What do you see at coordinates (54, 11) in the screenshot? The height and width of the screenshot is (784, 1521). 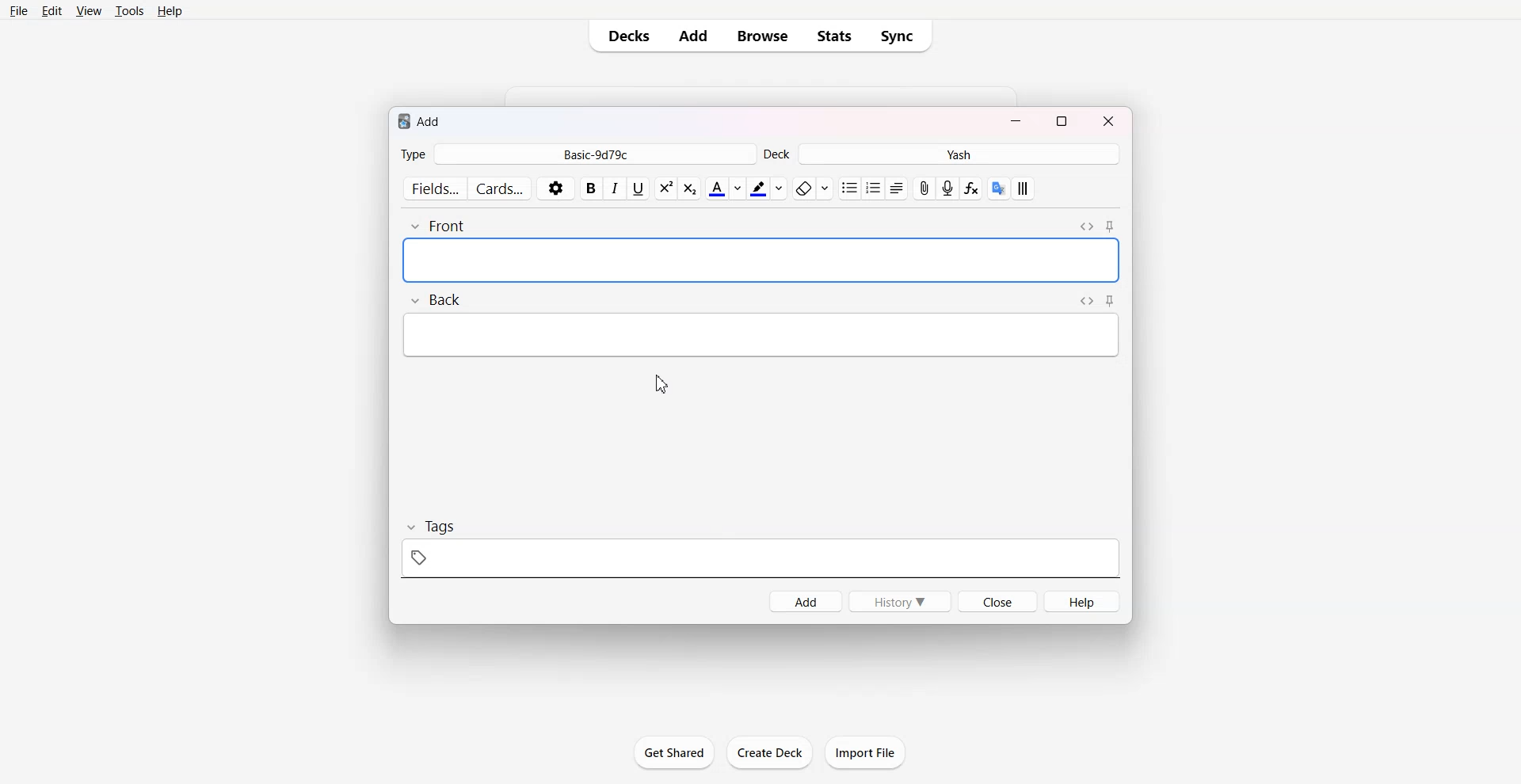 I see `Edit` at bounding box center [54, 11].